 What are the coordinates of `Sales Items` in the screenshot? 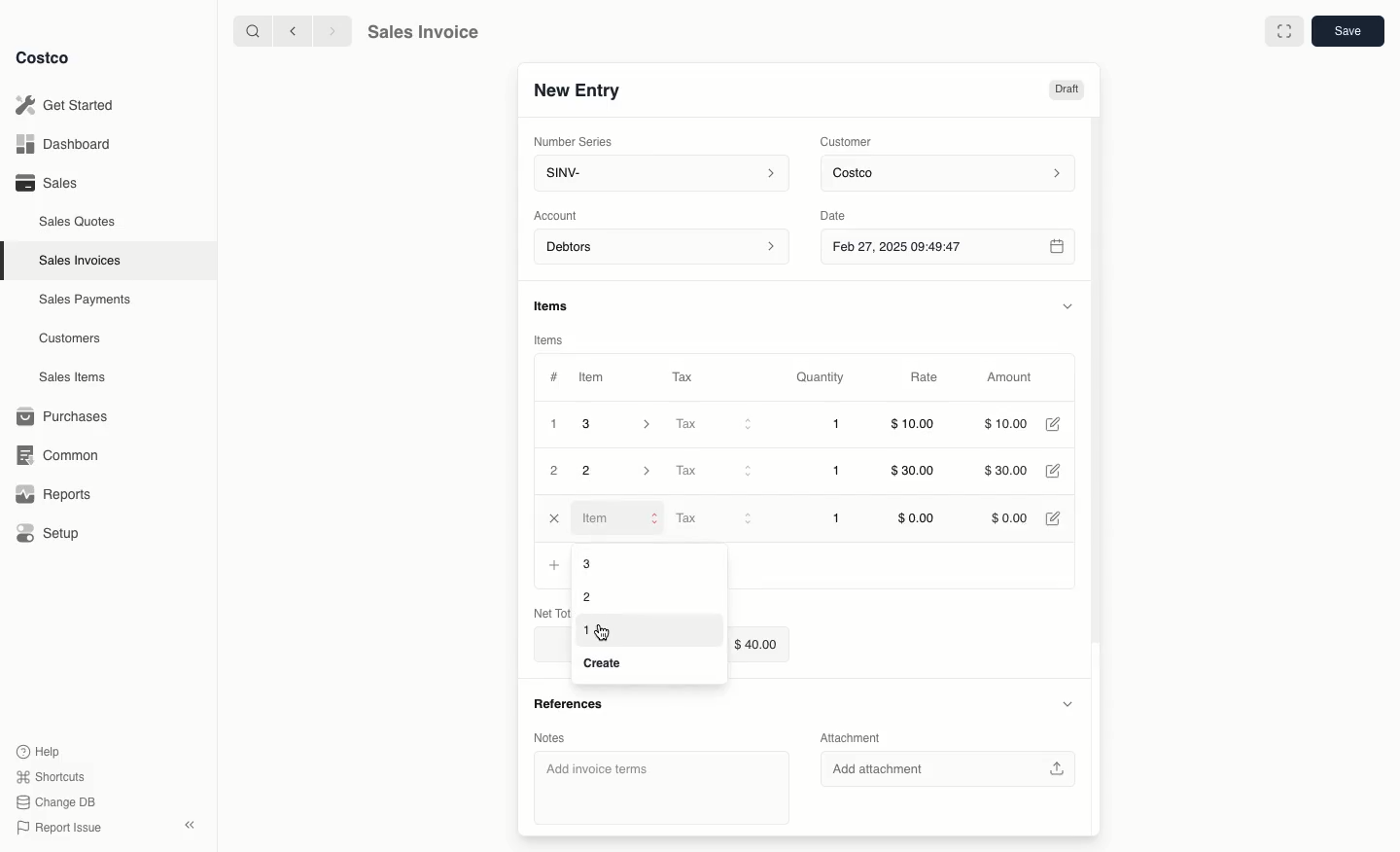 It's located at (75, 375).